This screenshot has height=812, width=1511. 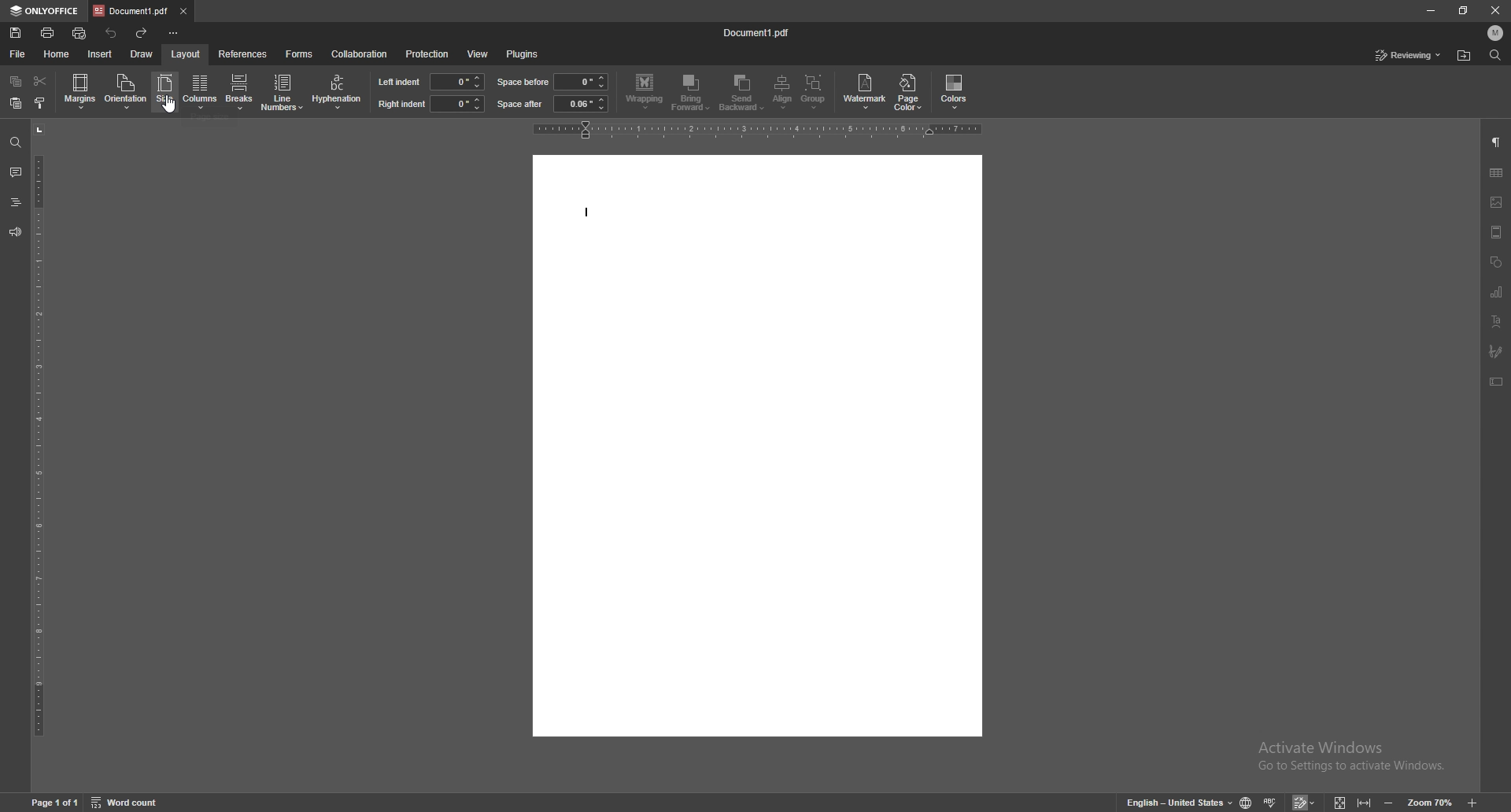 I want to click on plugins, so click(x=523, y=54).